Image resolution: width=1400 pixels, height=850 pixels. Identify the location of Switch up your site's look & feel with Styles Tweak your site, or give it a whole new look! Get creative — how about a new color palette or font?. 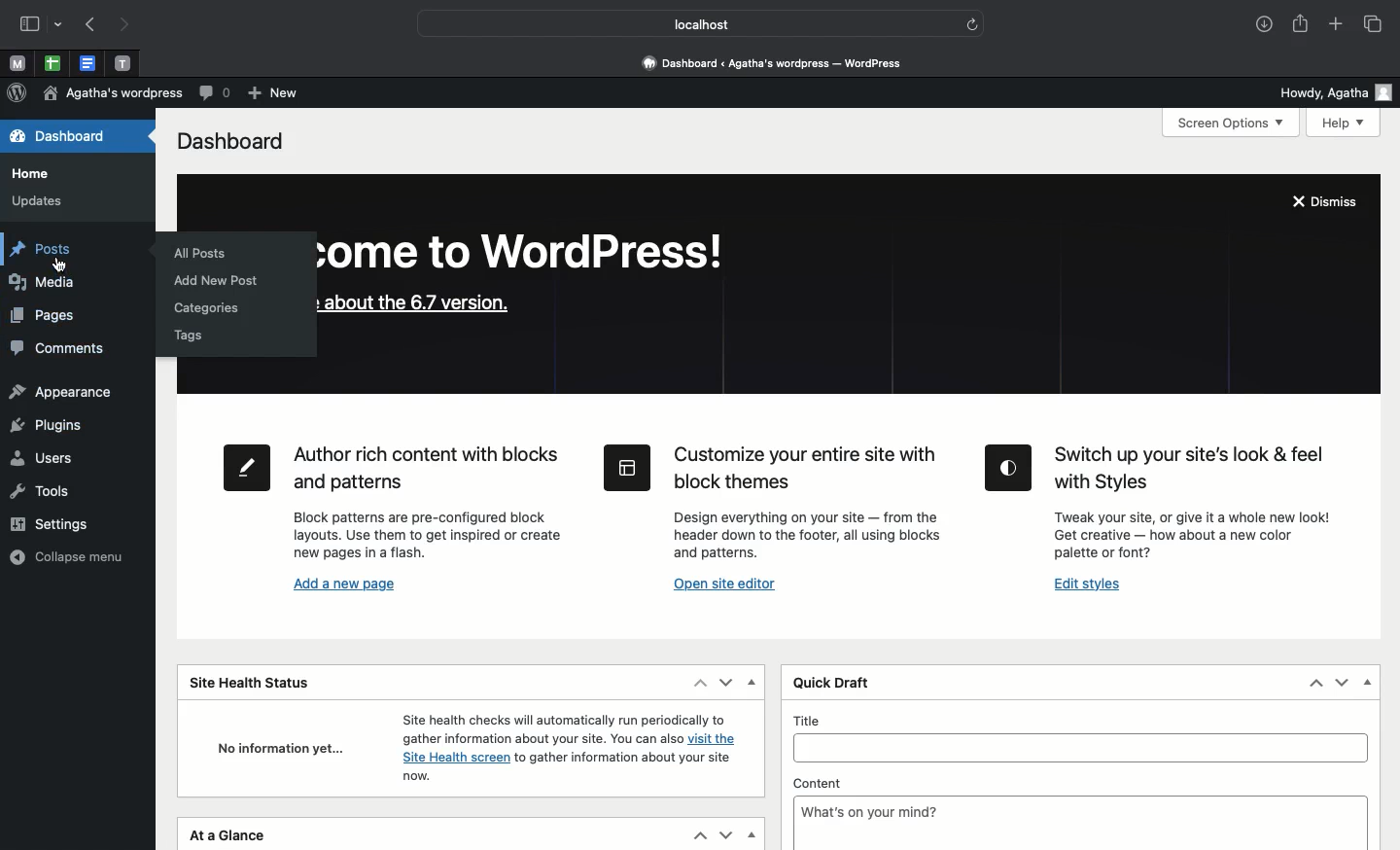
(1164, 504).